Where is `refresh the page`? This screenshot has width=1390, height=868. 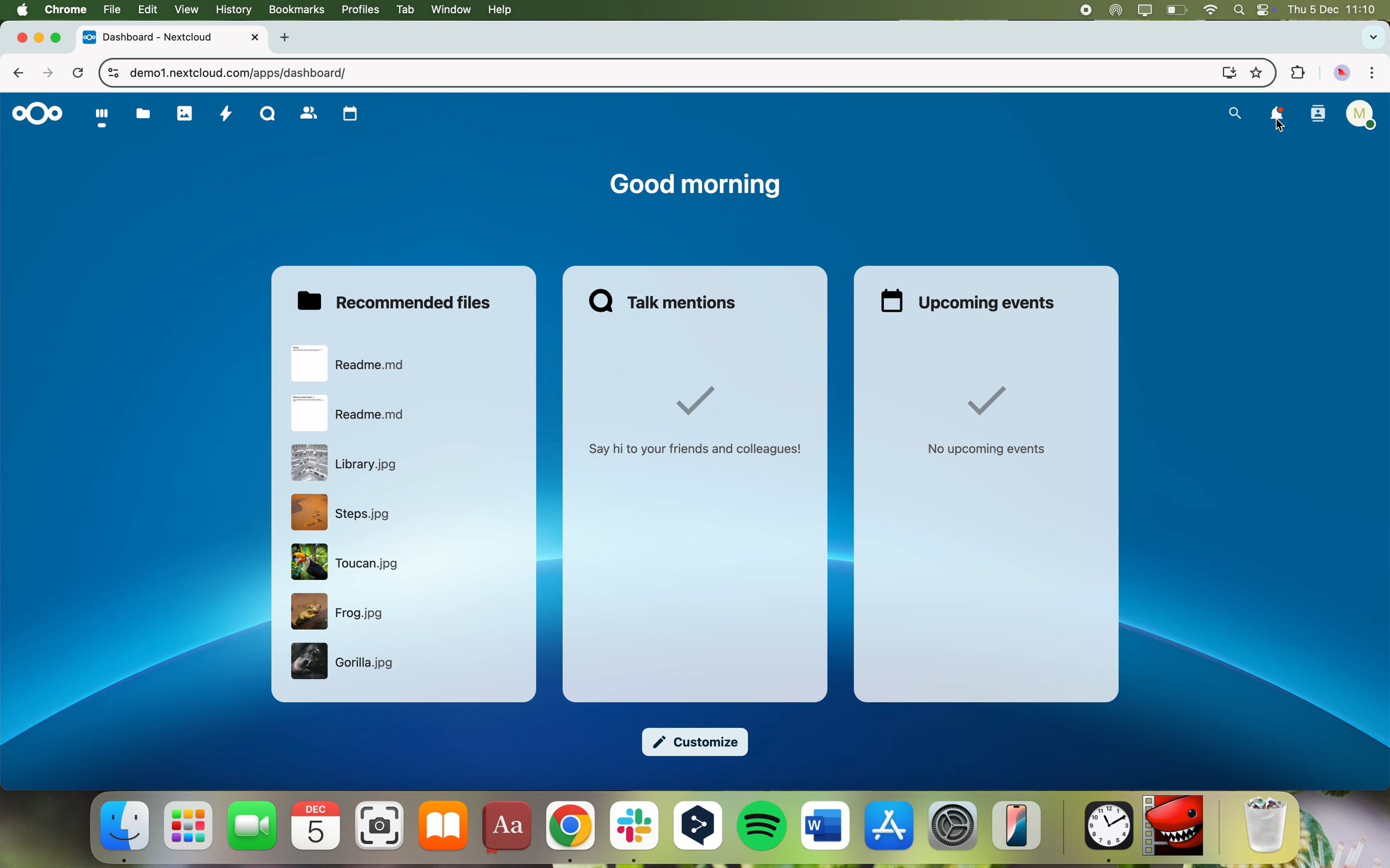
refresh the page is located at coordinates (79, 74).